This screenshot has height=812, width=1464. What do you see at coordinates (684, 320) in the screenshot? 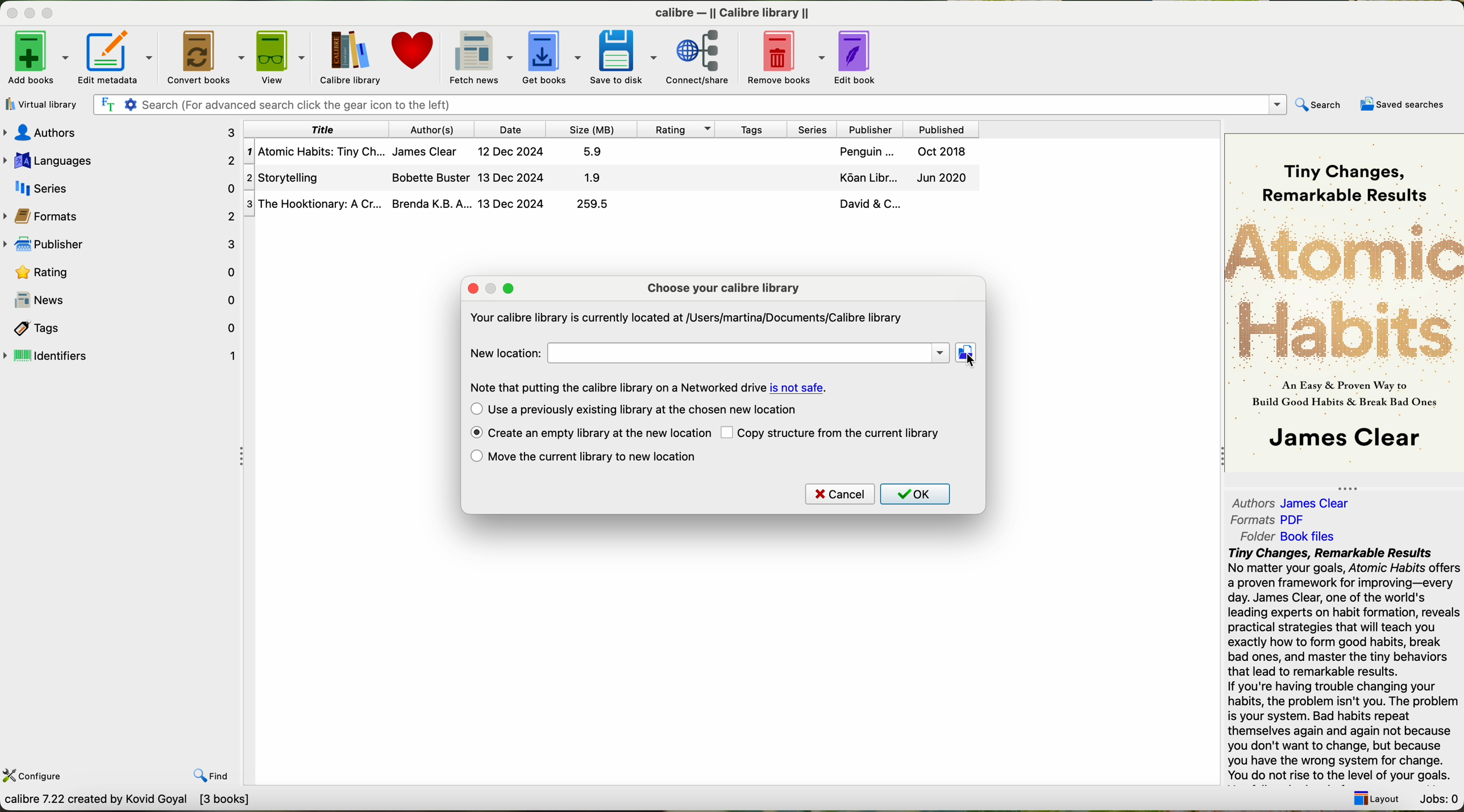
I see `‘Your calibre library Is currently located at /Users/martina/Documents/Calibre library` at bounding box center [684, 320].